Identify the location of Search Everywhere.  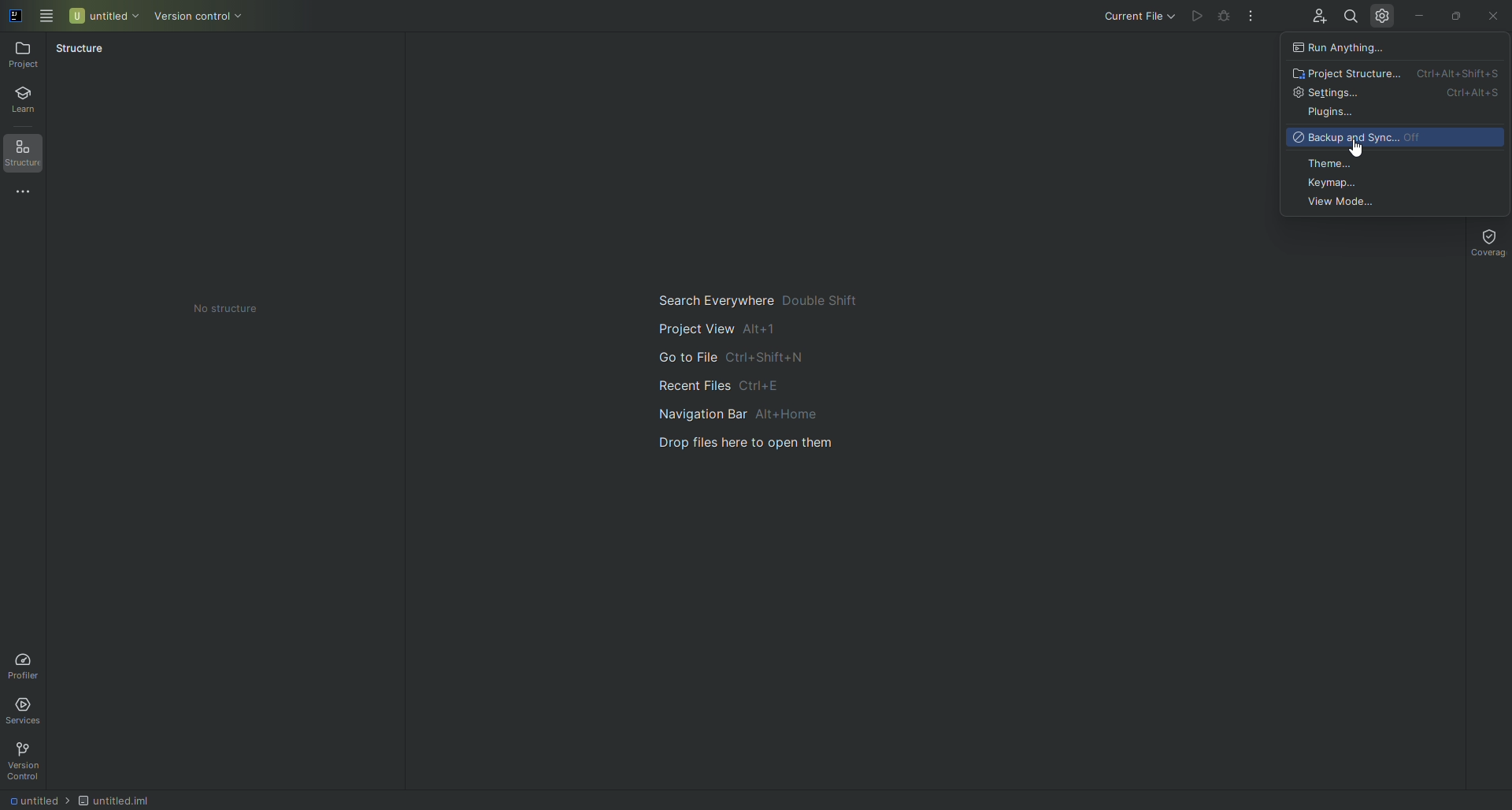
(754, 297).